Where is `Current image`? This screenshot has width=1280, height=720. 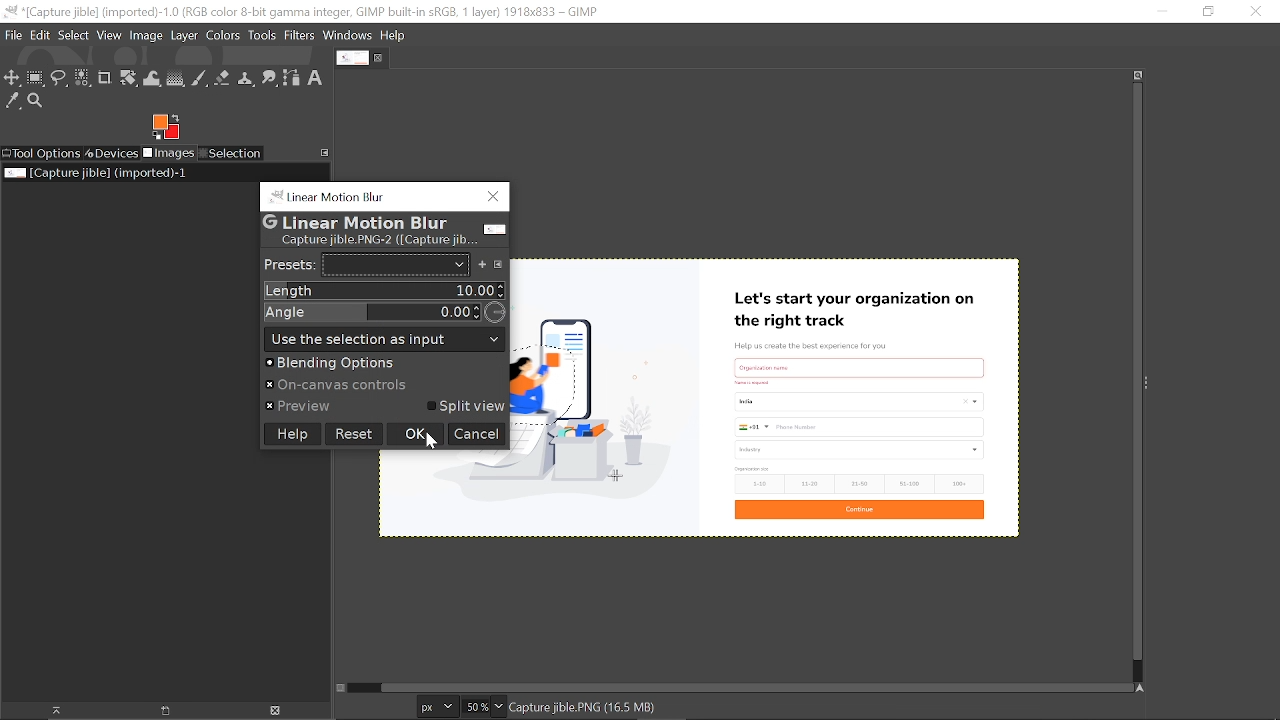
Current image is located at coordinates (98, 173).